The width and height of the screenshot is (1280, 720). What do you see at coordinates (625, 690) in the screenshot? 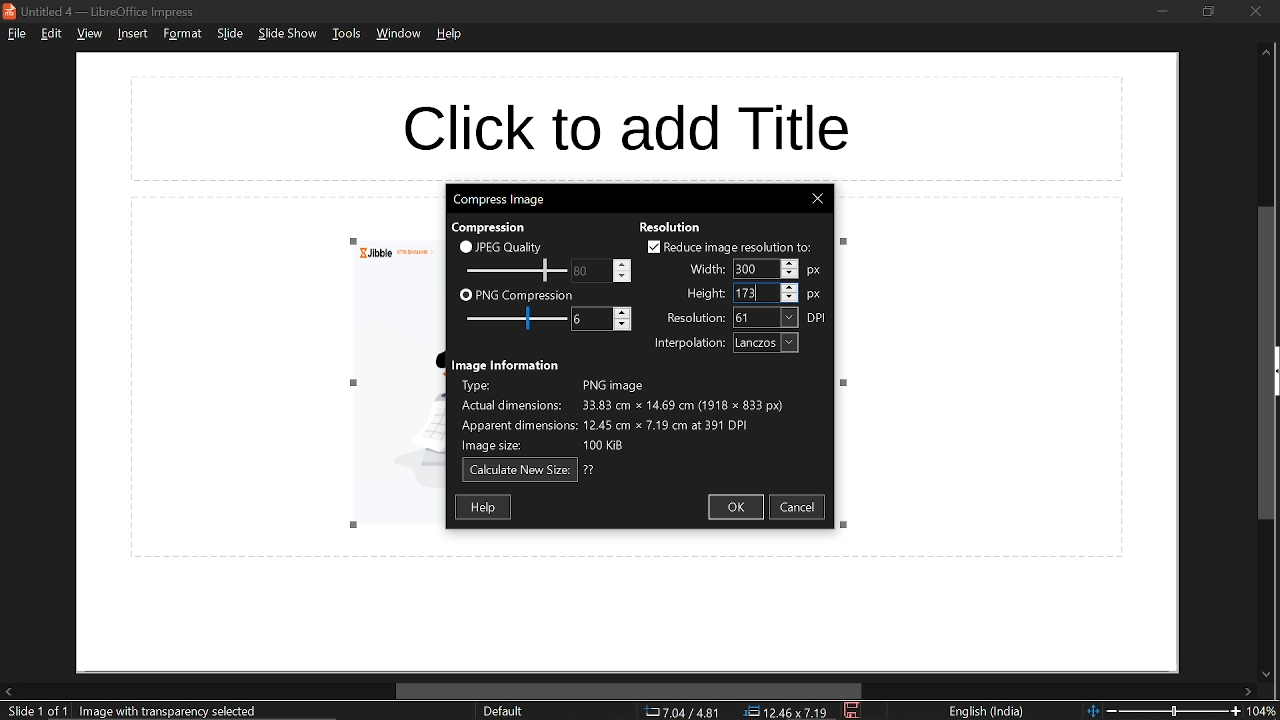
I see `horizontal scrollbar` at bounding box center [625, 690].